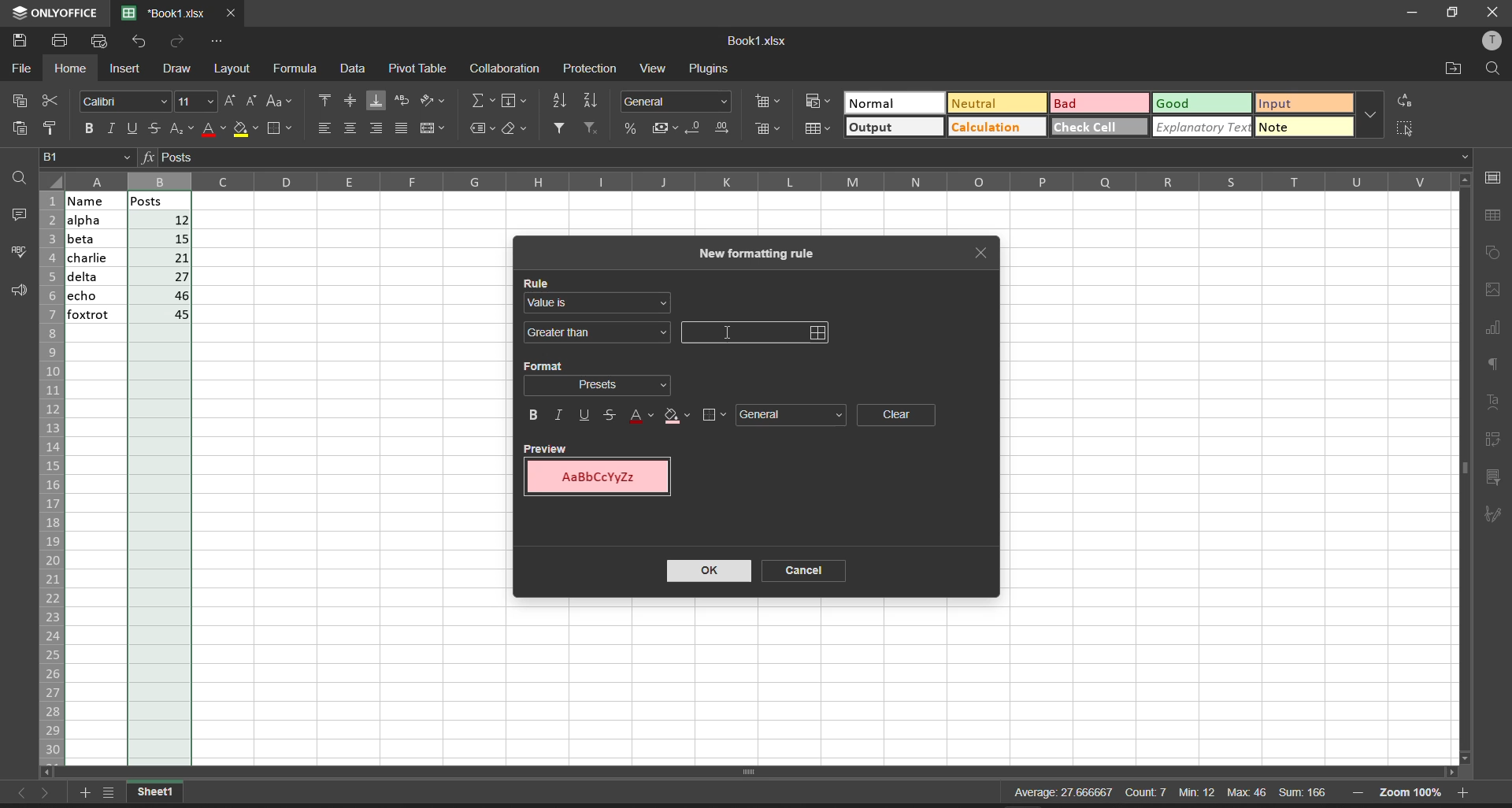 The height and width of the screenshot is (808, 1512). I want to click on find, so click(22, 178).